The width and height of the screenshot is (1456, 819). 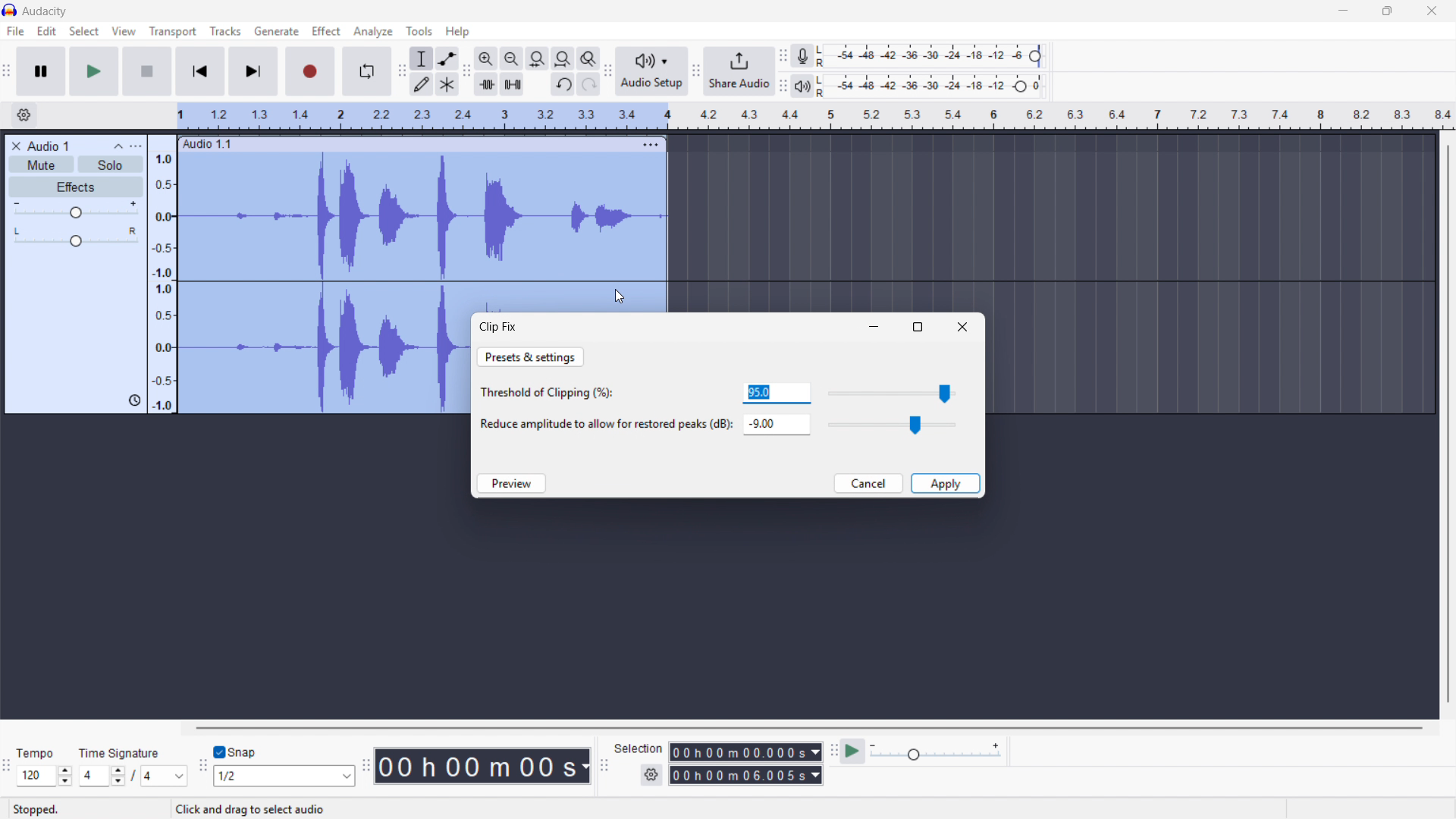 What do you see at coordinates (249, 809) in the screenshot?
I see `click and drag to select audio` at bounding box center [249, 809].